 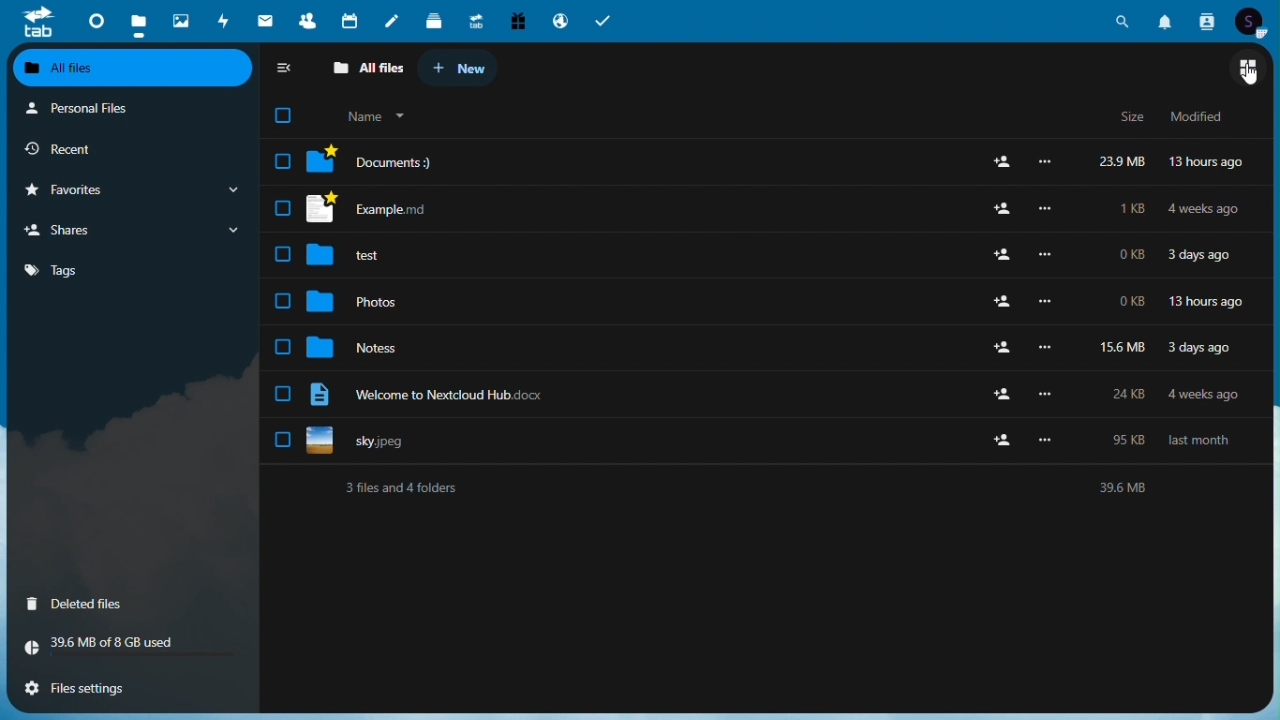 I want to click on add user, so click(x=1001, y=210).